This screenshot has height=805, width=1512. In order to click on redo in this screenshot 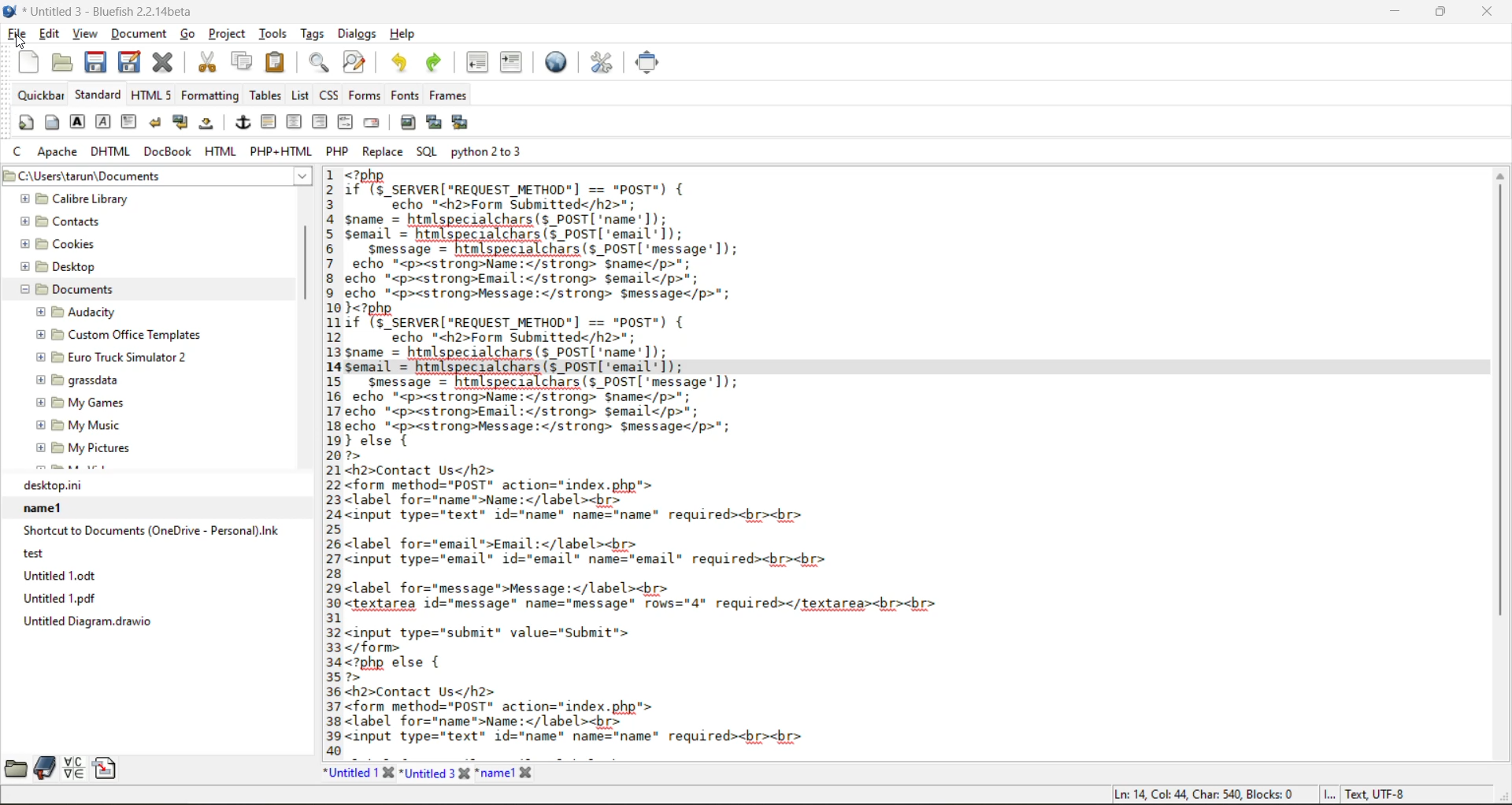, I will do `click(437, 62)`.